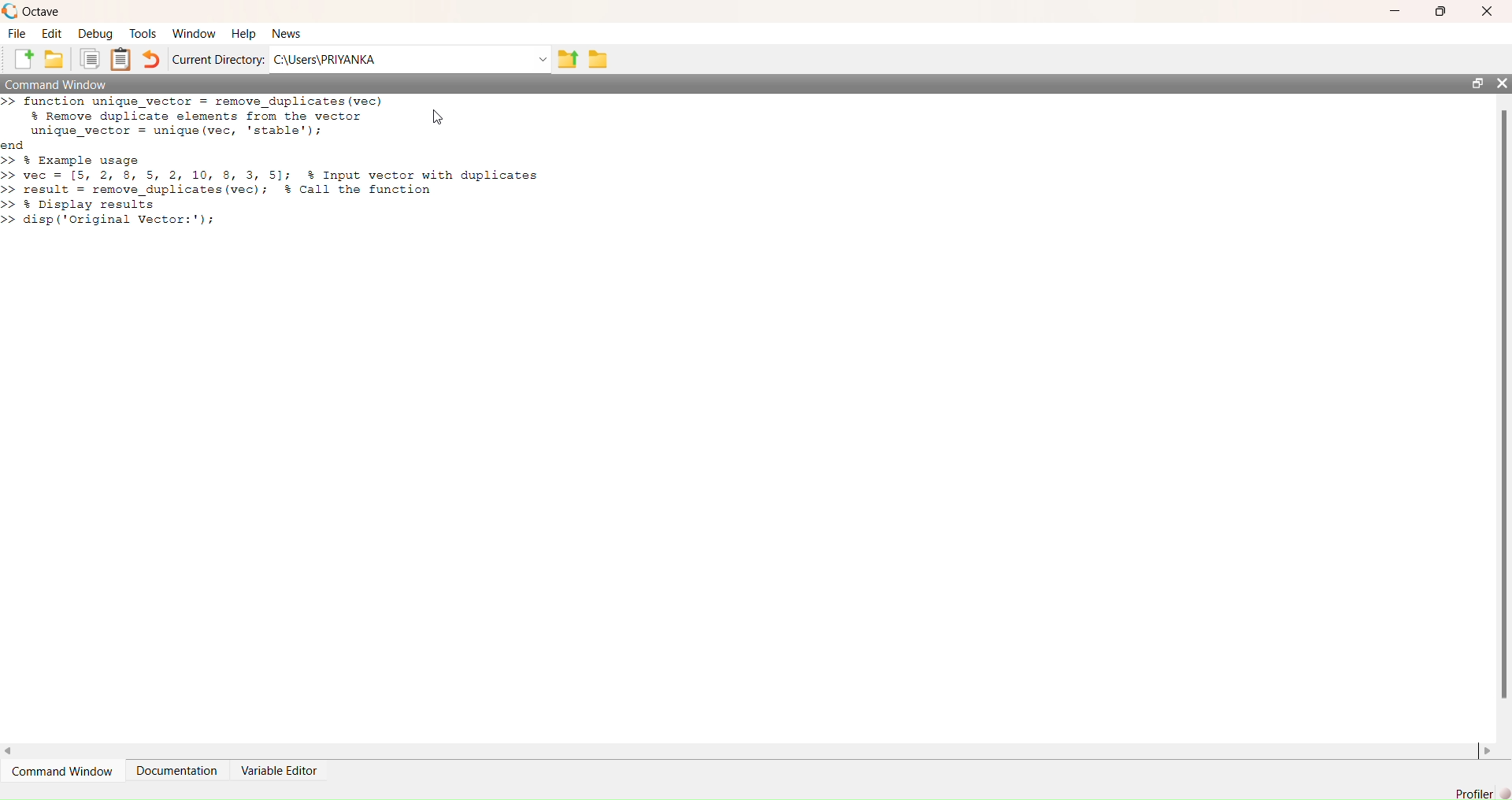 Image resolution: width=1512 pixels, height=800 pixels. Describe the element at coordinates (543, 59) in the screenshot. I see `Drop-down ` at that location.